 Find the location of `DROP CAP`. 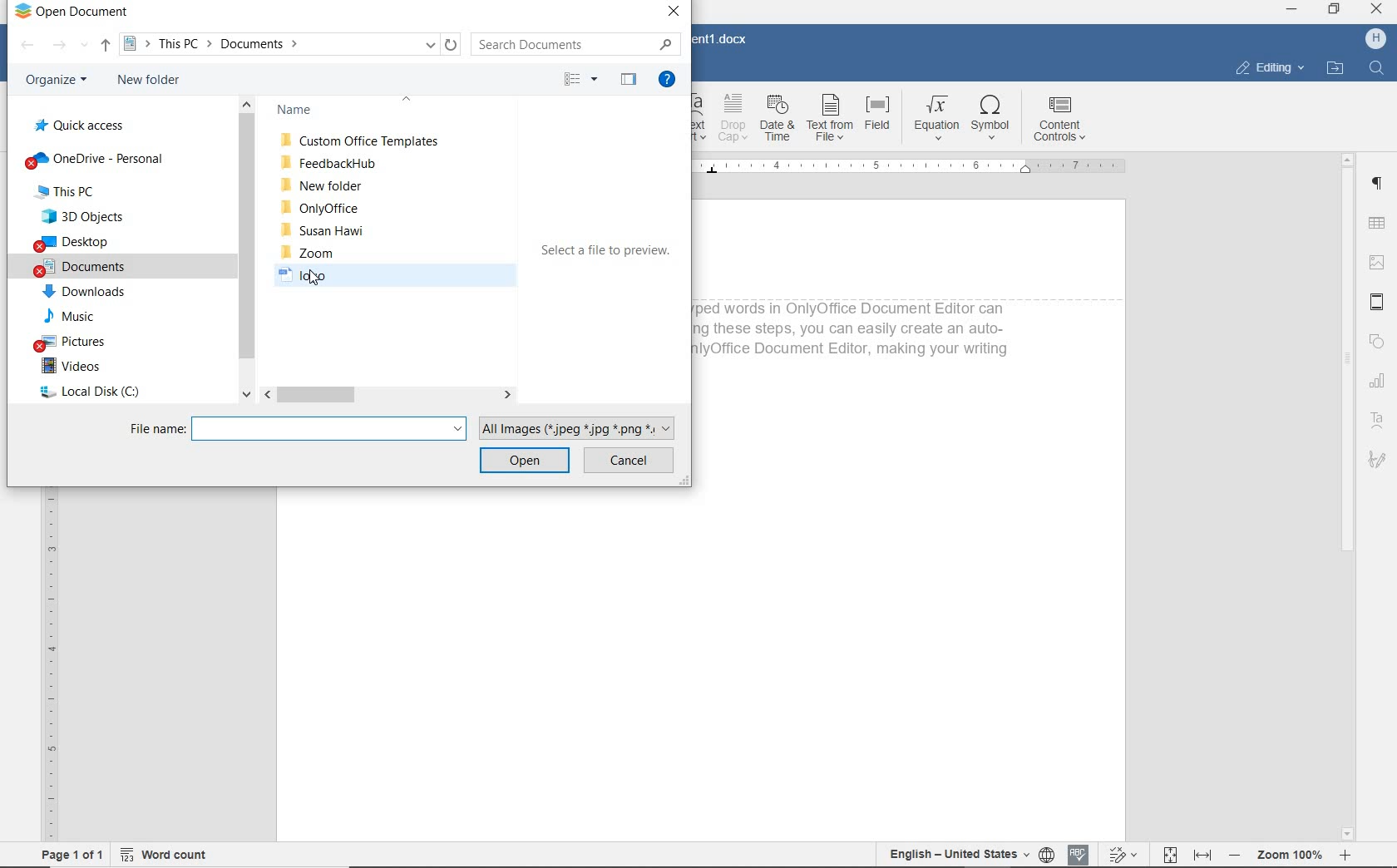

DROP CAP is located at coordinates (734, 121).